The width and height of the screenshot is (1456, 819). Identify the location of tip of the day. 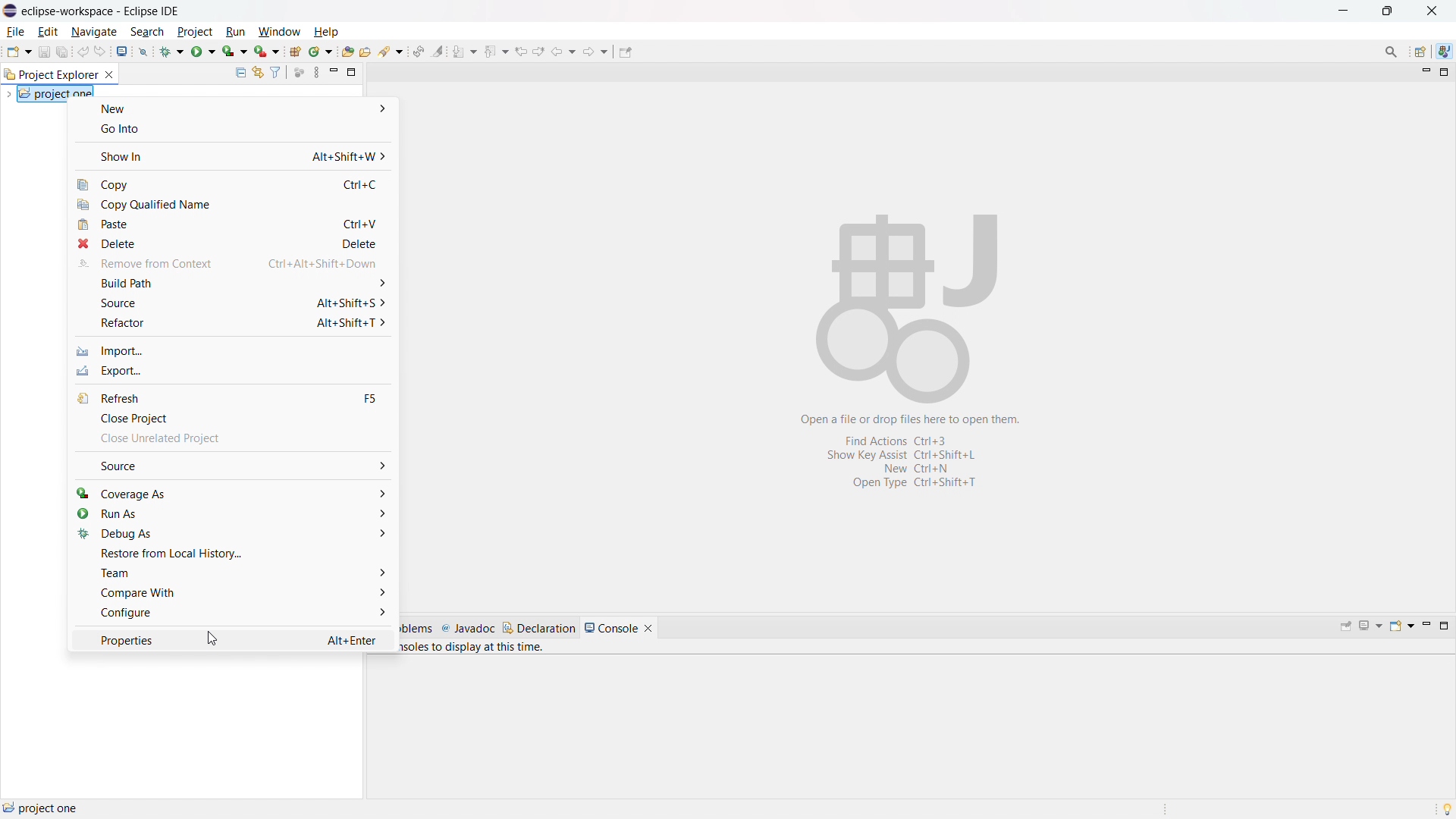
(1447, 808).